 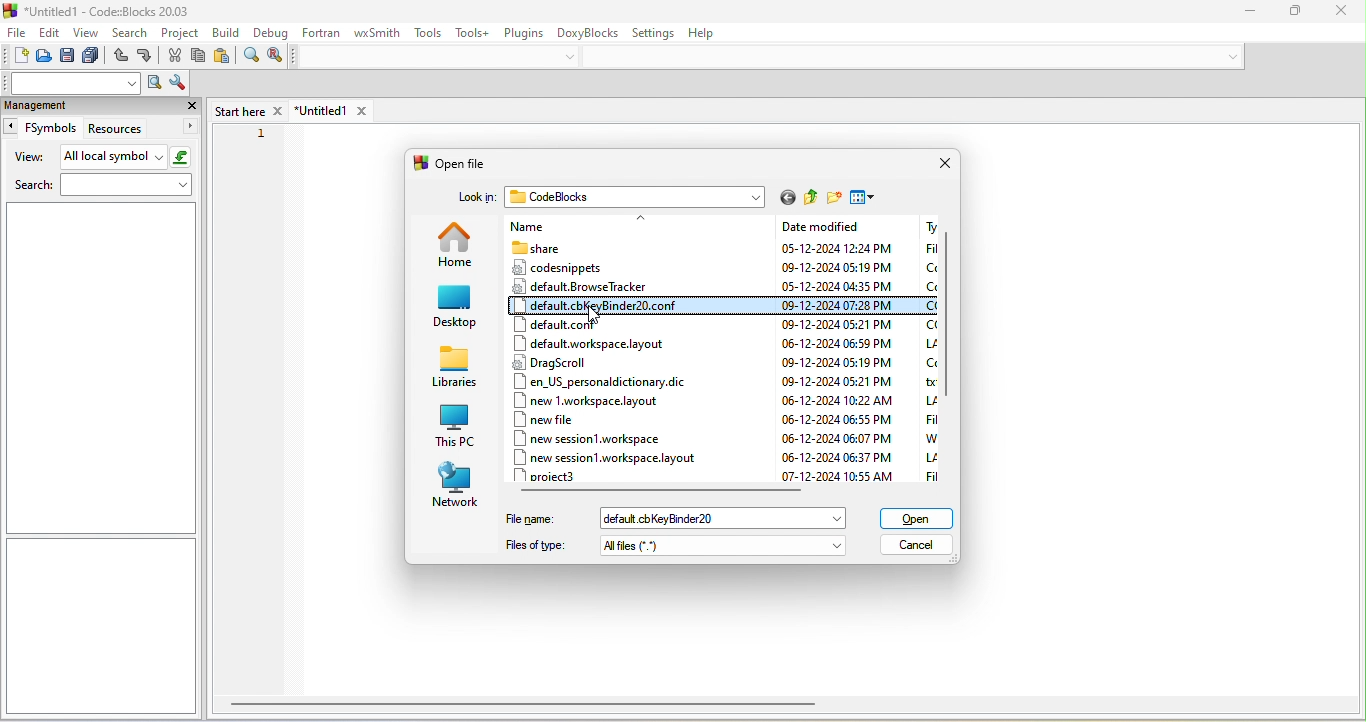 What do you see at coordinates (251, 58) in the screenshot?
I see `find` at bounding box center [251, 58].